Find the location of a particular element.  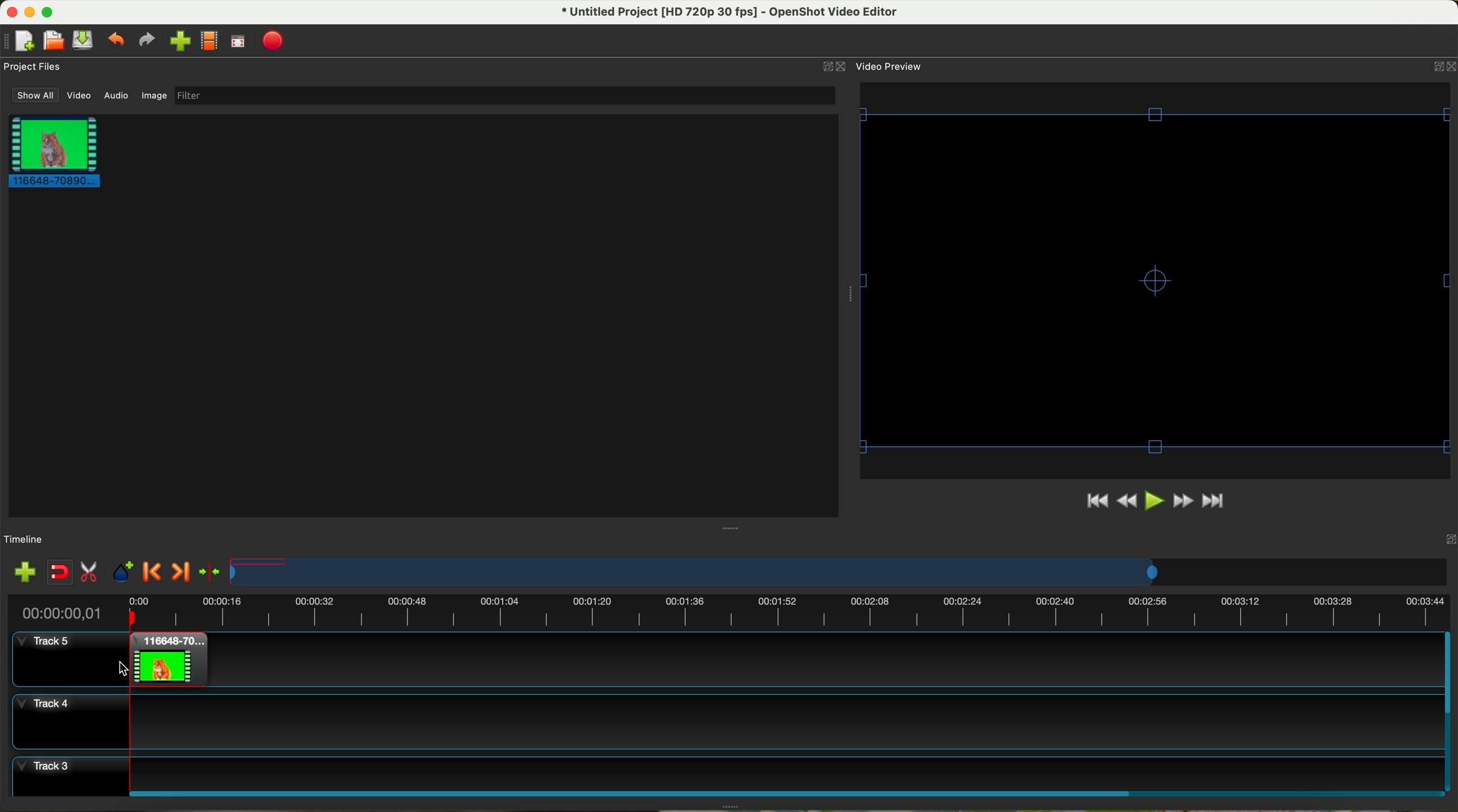

play is located at coordinates (1153, 500).